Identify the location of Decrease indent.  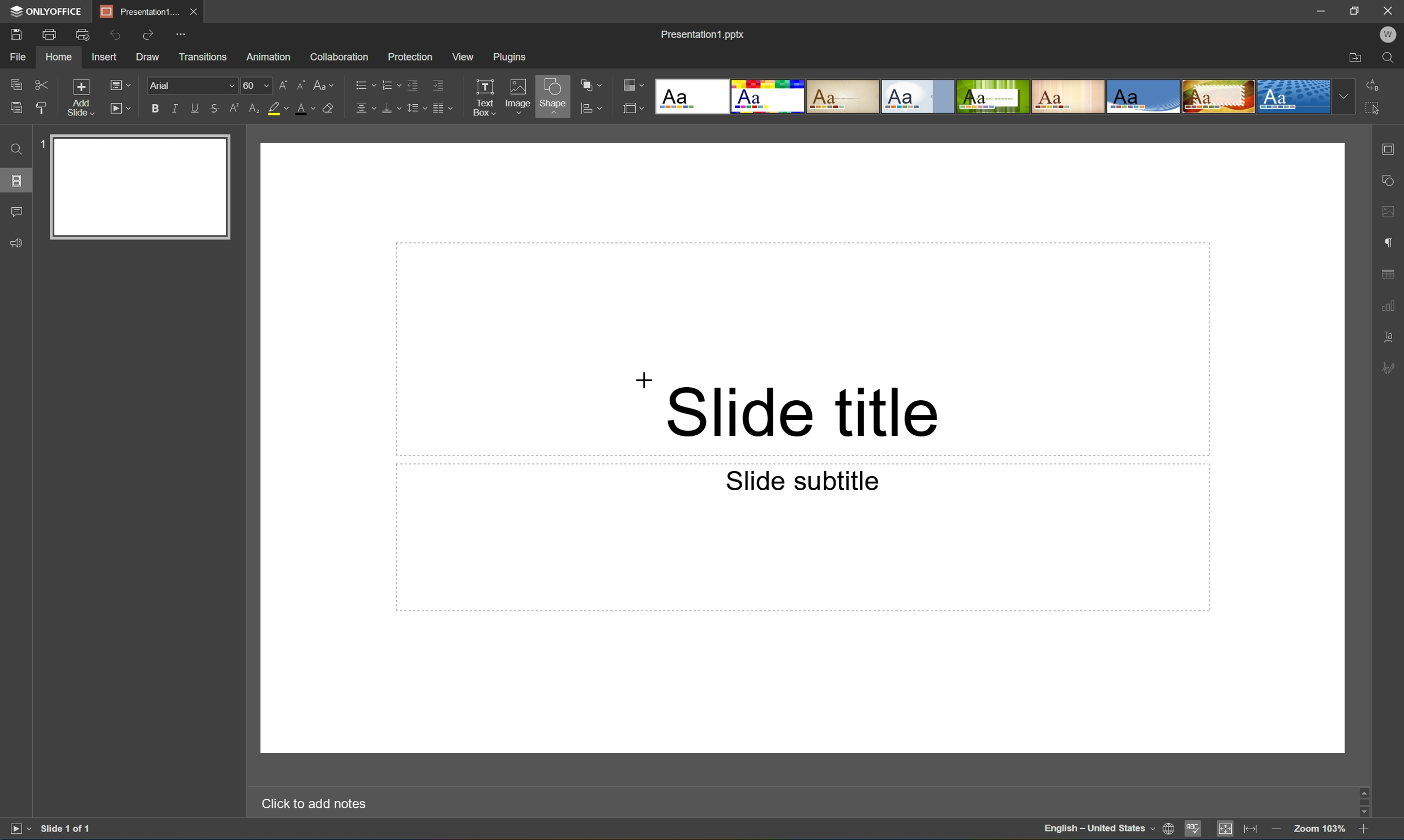
(413, 83).